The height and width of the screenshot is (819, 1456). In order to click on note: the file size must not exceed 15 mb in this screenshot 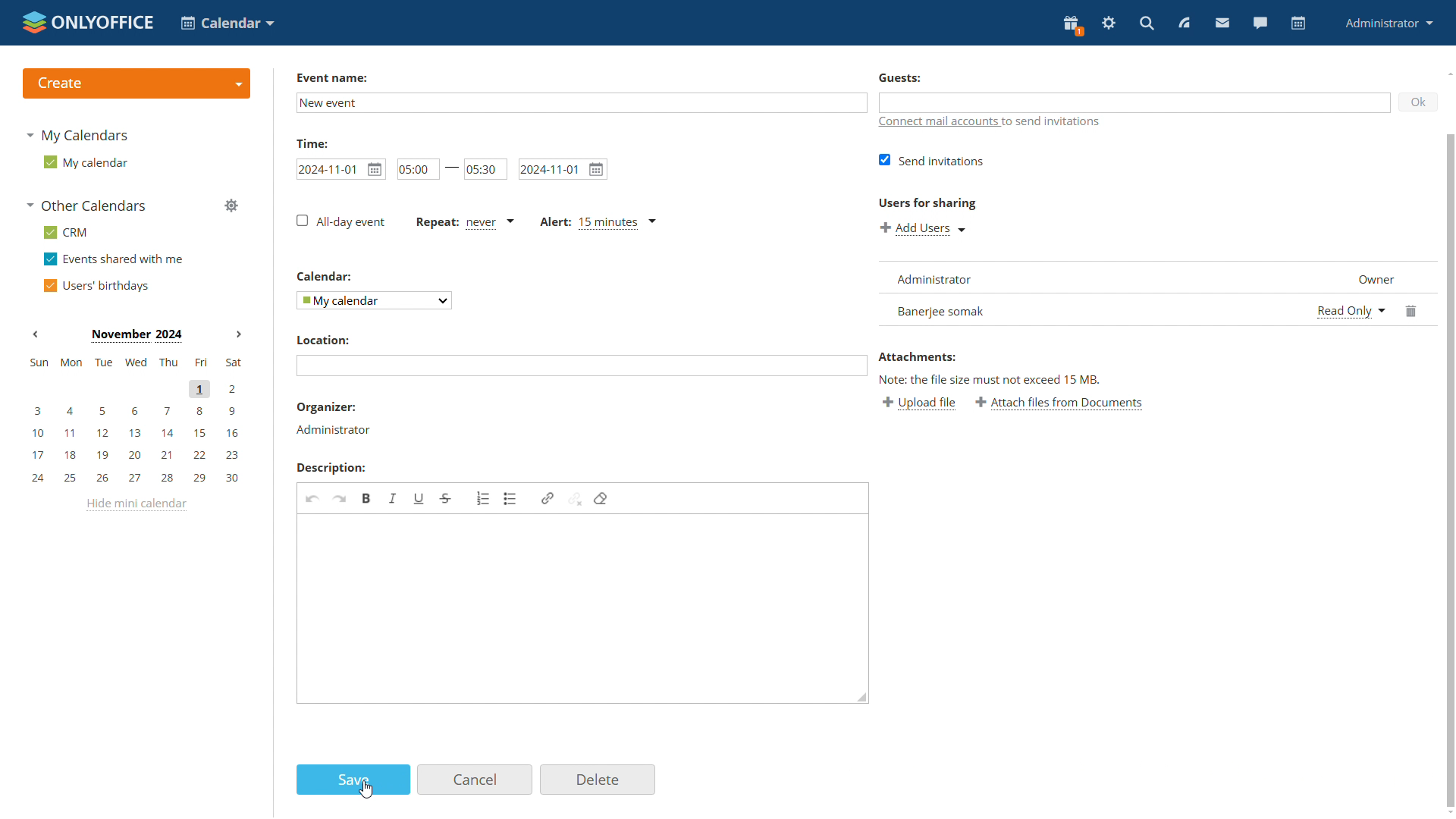, I will do `click(990, 380)`.